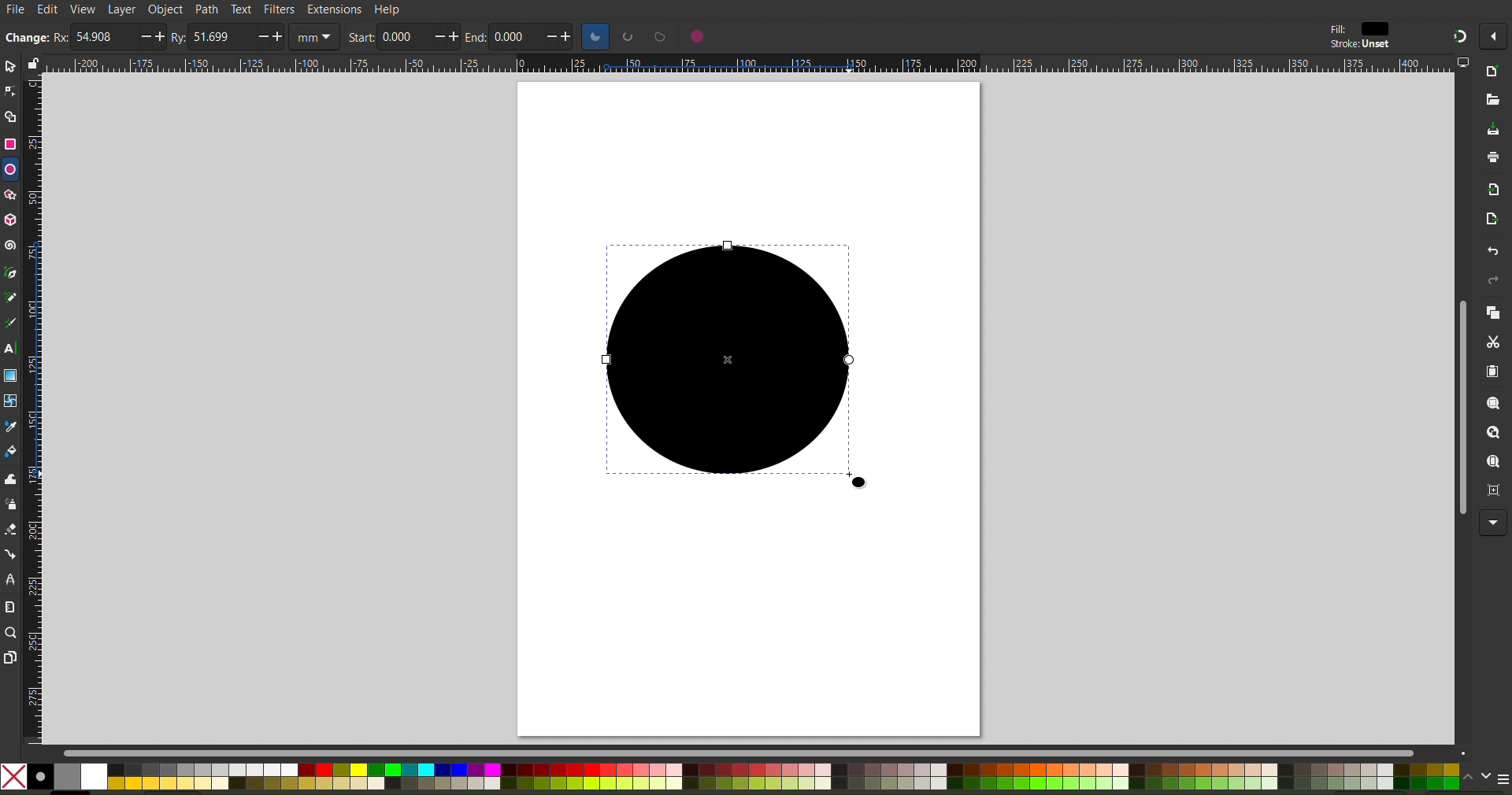  What do you see at coordinates (1492, 126) in the screenshot?
I see `Save` at bounding box center [1492, 126].